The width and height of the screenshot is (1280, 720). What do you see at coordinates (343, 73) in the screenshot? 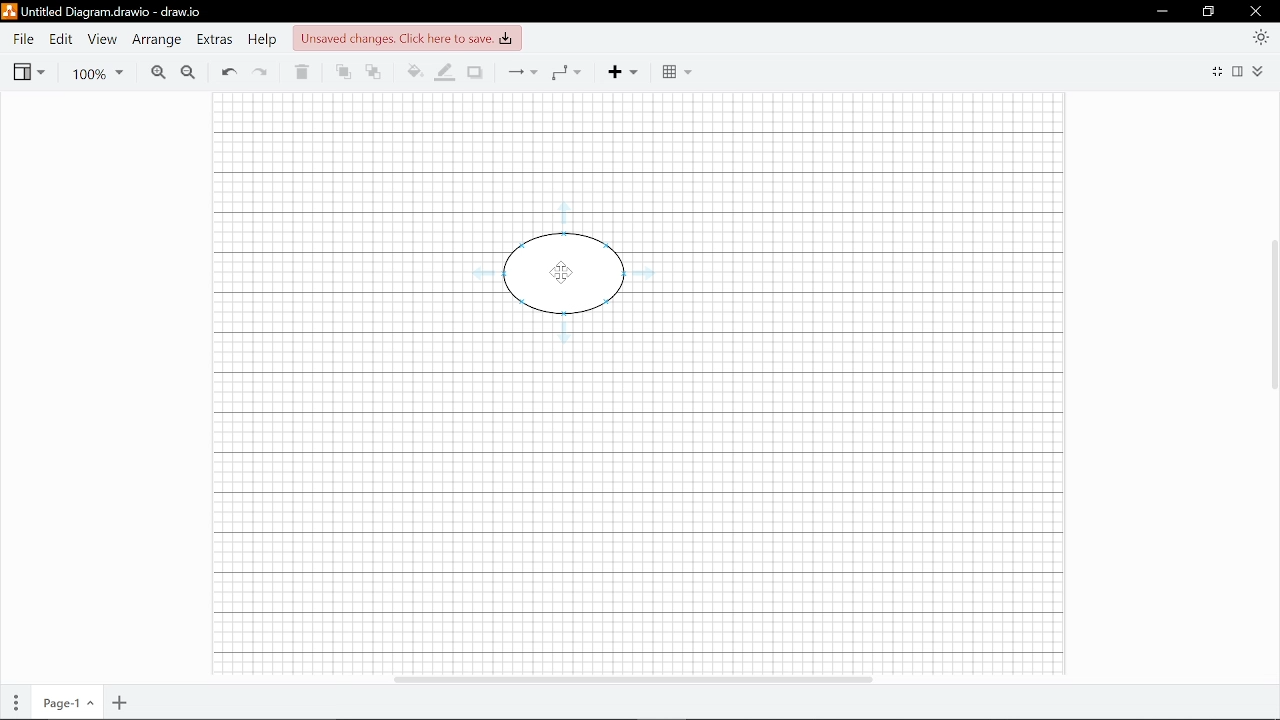
I see `To front` at bounding box center [343, 73].